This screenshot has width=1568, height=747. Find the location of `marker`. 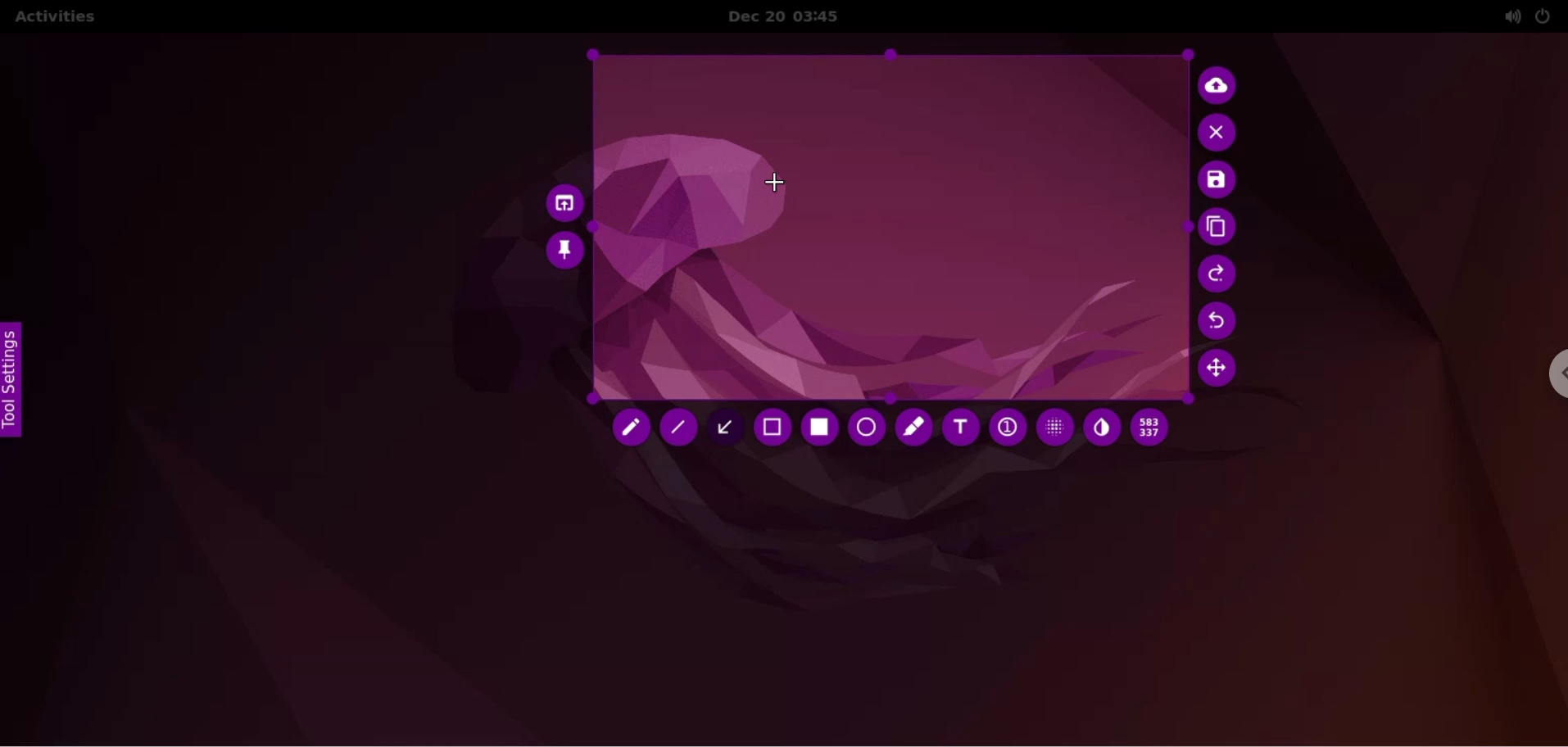

marker is located at coordinates (913, 427).